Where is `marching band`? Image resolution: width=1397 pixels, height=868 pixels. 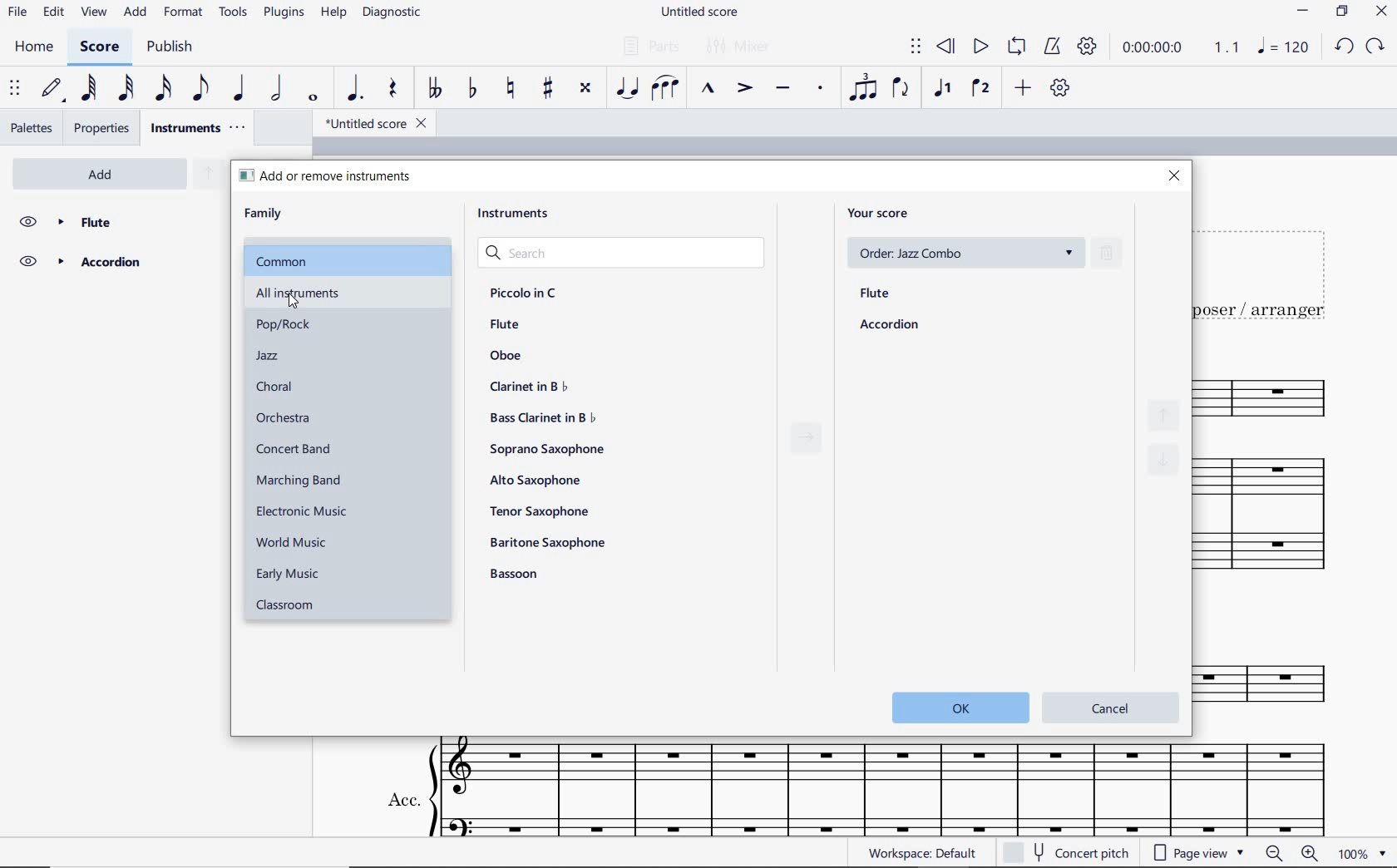 marching band is located at coordinates (299, 479).